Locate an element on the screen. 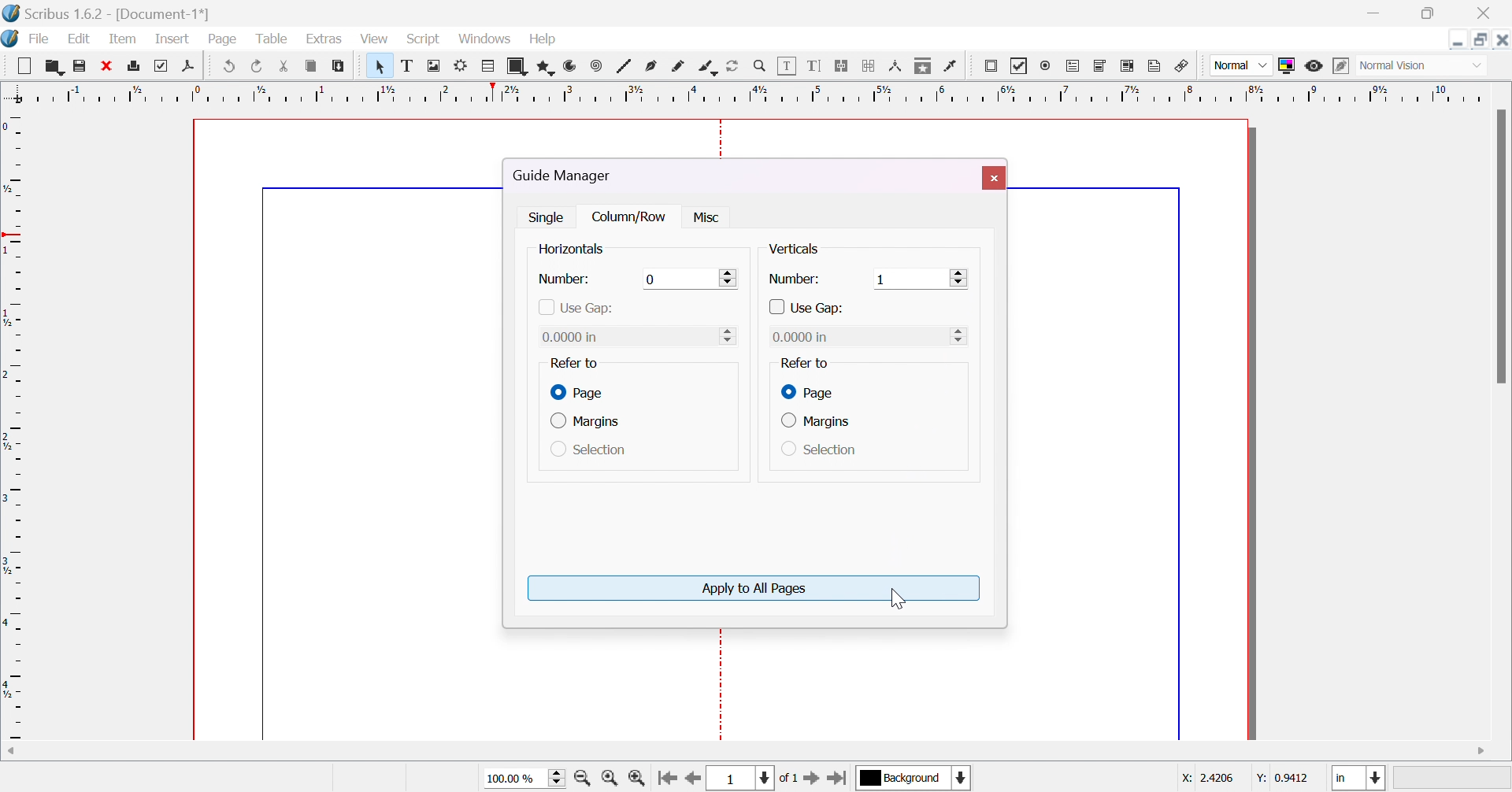  table is located at coordinates (275, 40).